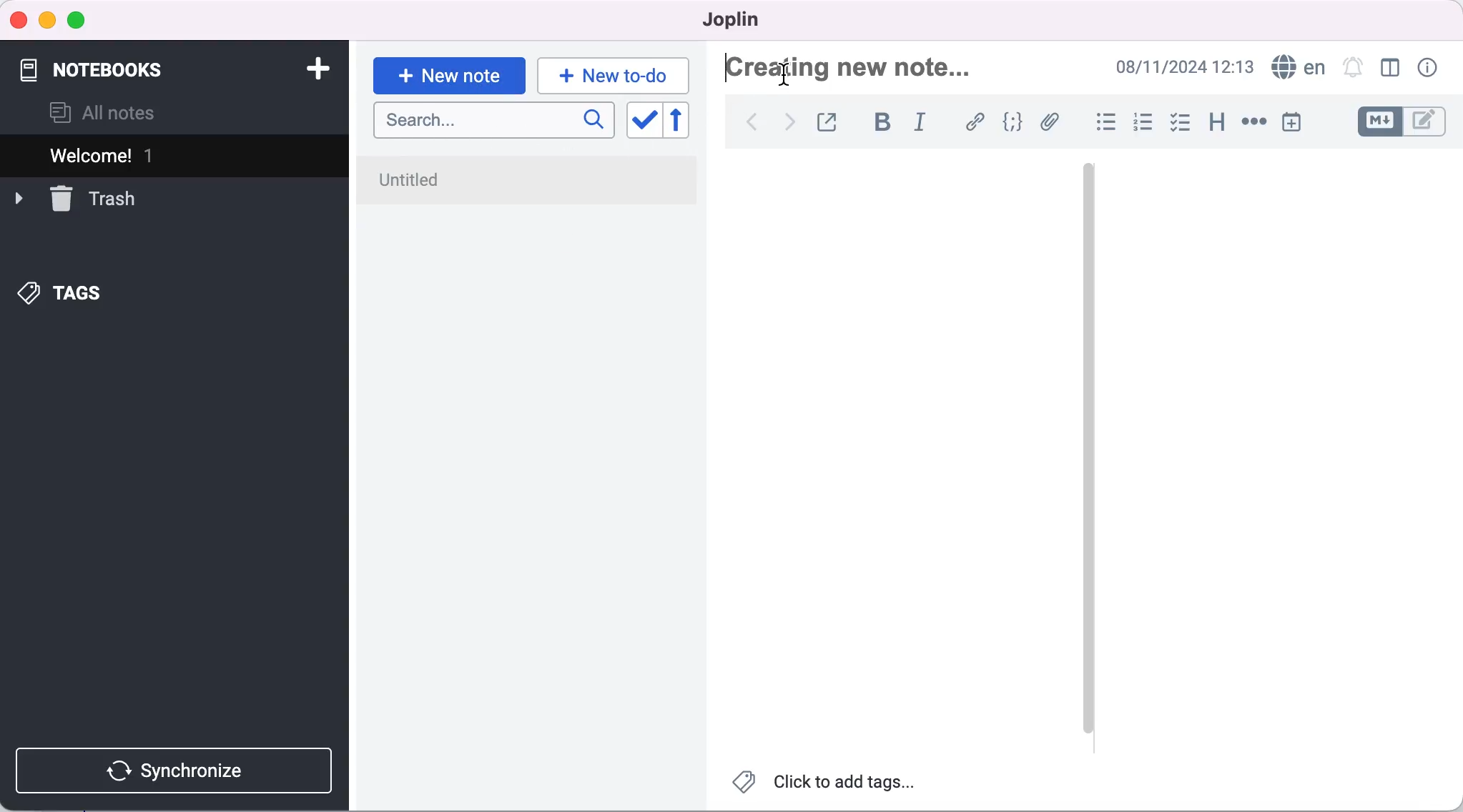 The image size is (1463, 812). What do you see at coordinates (1145, 124) in the screenshot?
I see `numbered list` at bounding box center [1145, 124].